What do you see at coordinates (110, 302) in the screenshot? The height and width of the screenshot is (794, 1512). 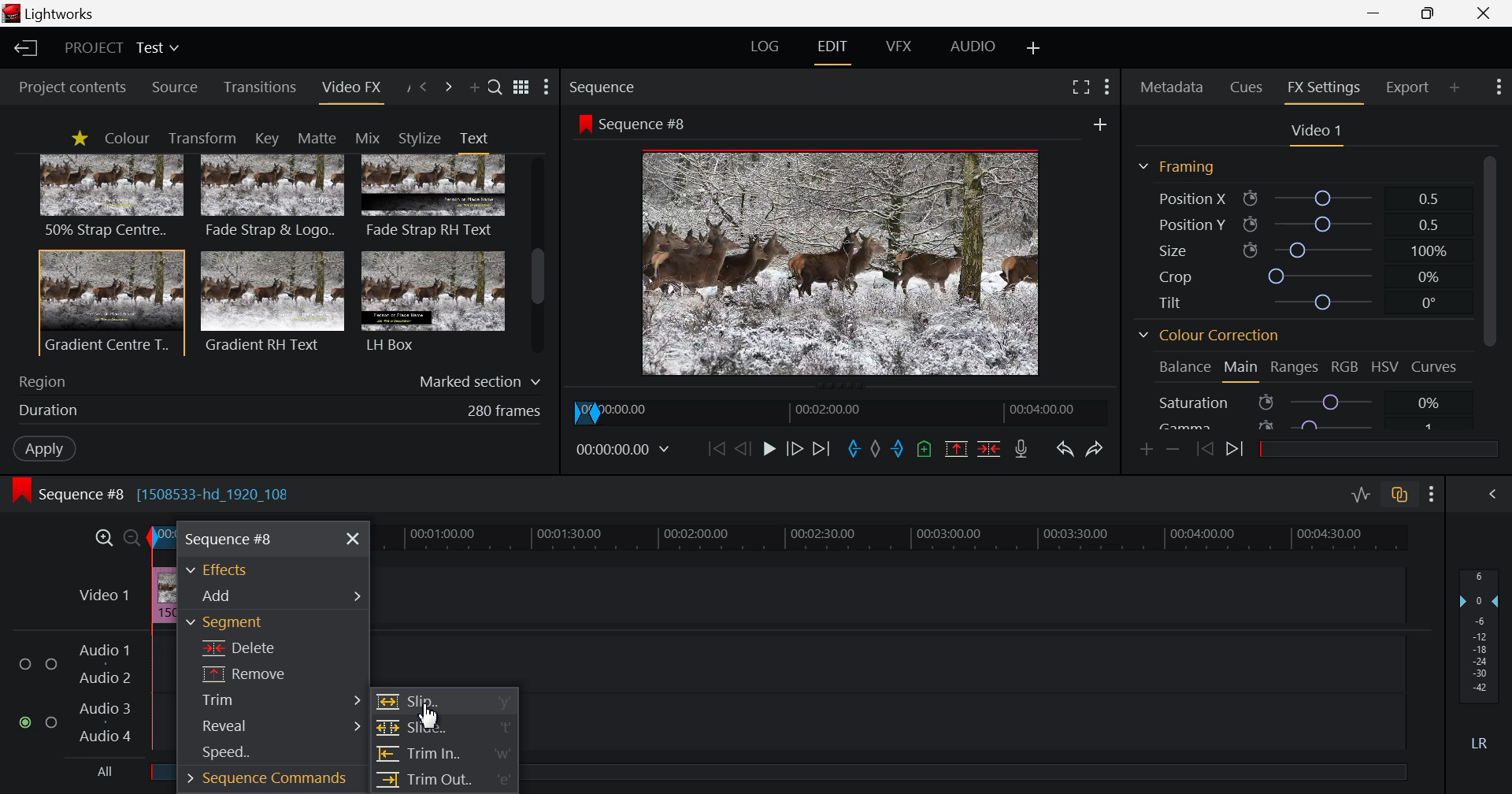 I see `Gradient Centre` at bounding box center [110, 302].